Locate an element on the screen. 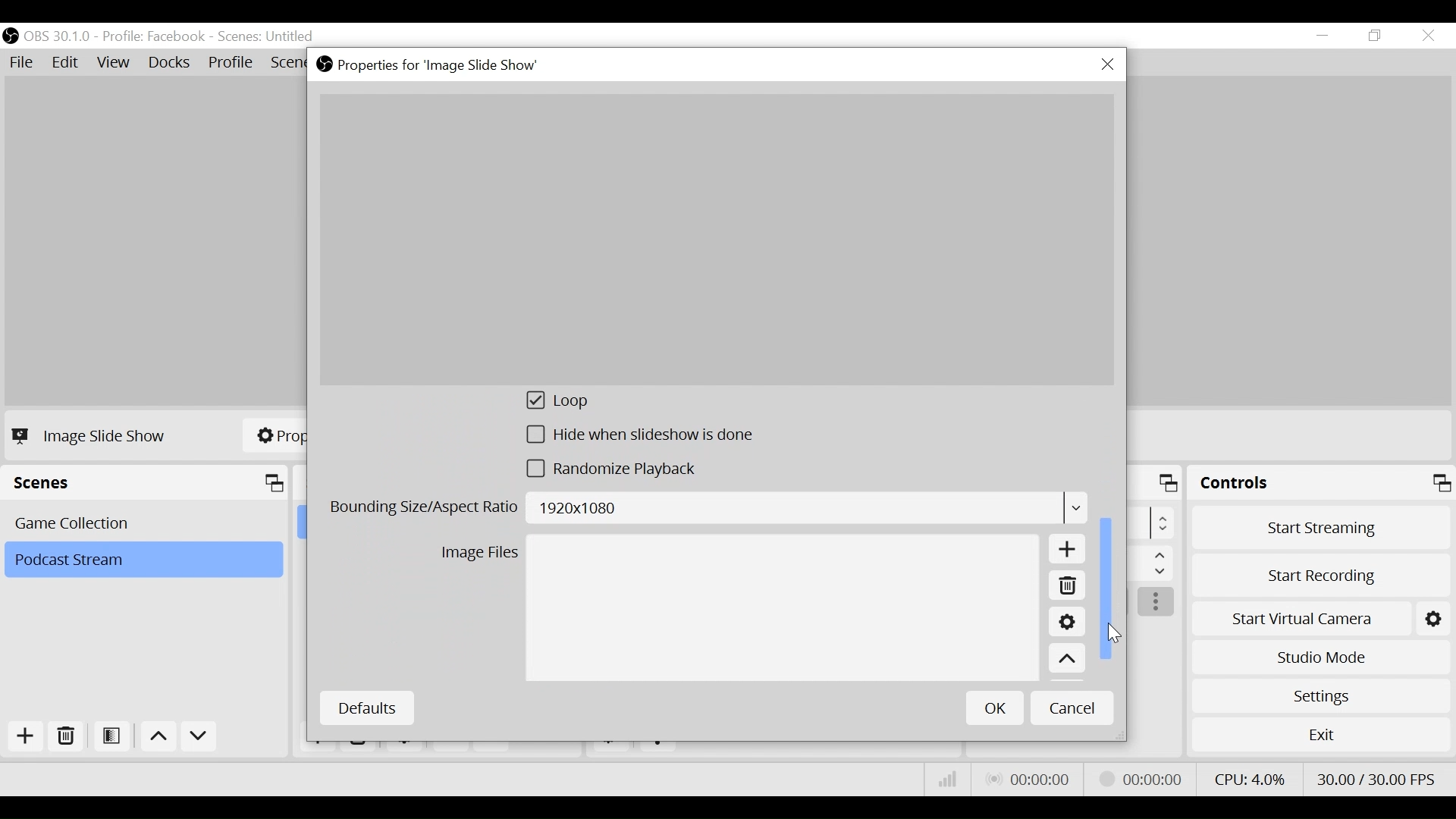 This screenshot has width=1456, height=819. Close is located at coordinates (1107, 65).